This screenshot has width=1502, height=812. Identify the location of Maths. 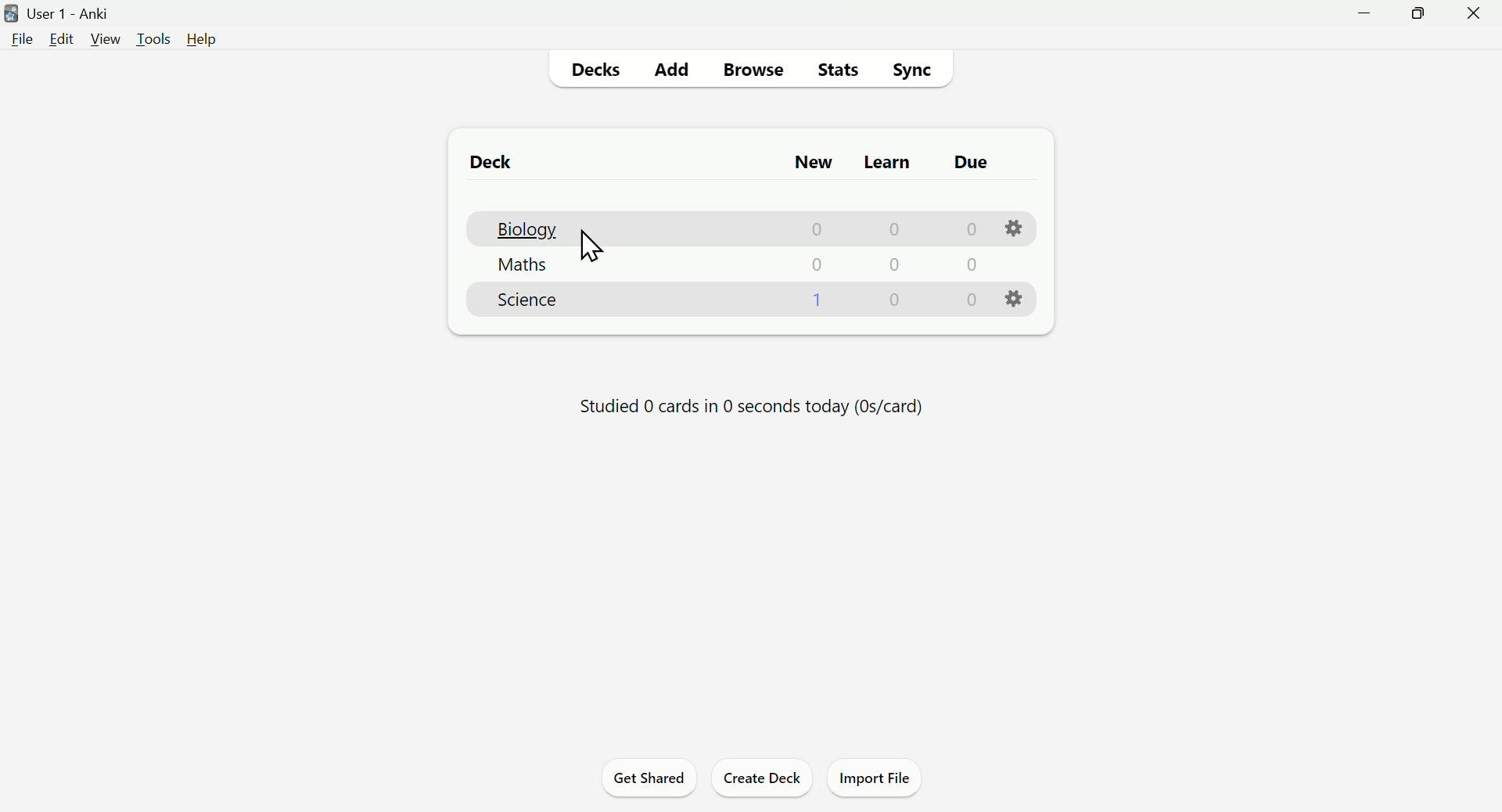
(526, 264).